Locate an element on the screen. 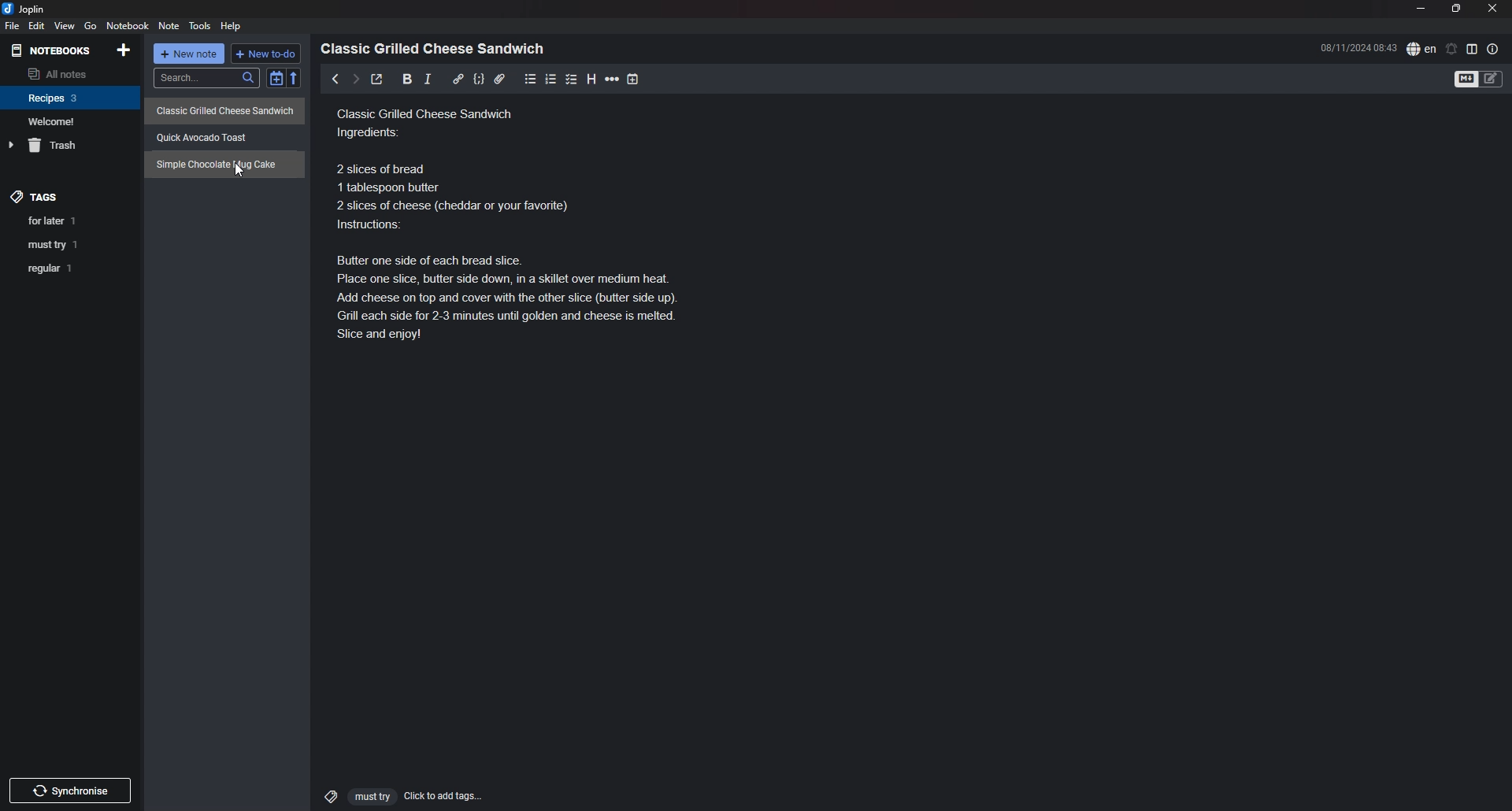 This screenshot has width=1512, height=811. go is located at coordinates (91, 25).